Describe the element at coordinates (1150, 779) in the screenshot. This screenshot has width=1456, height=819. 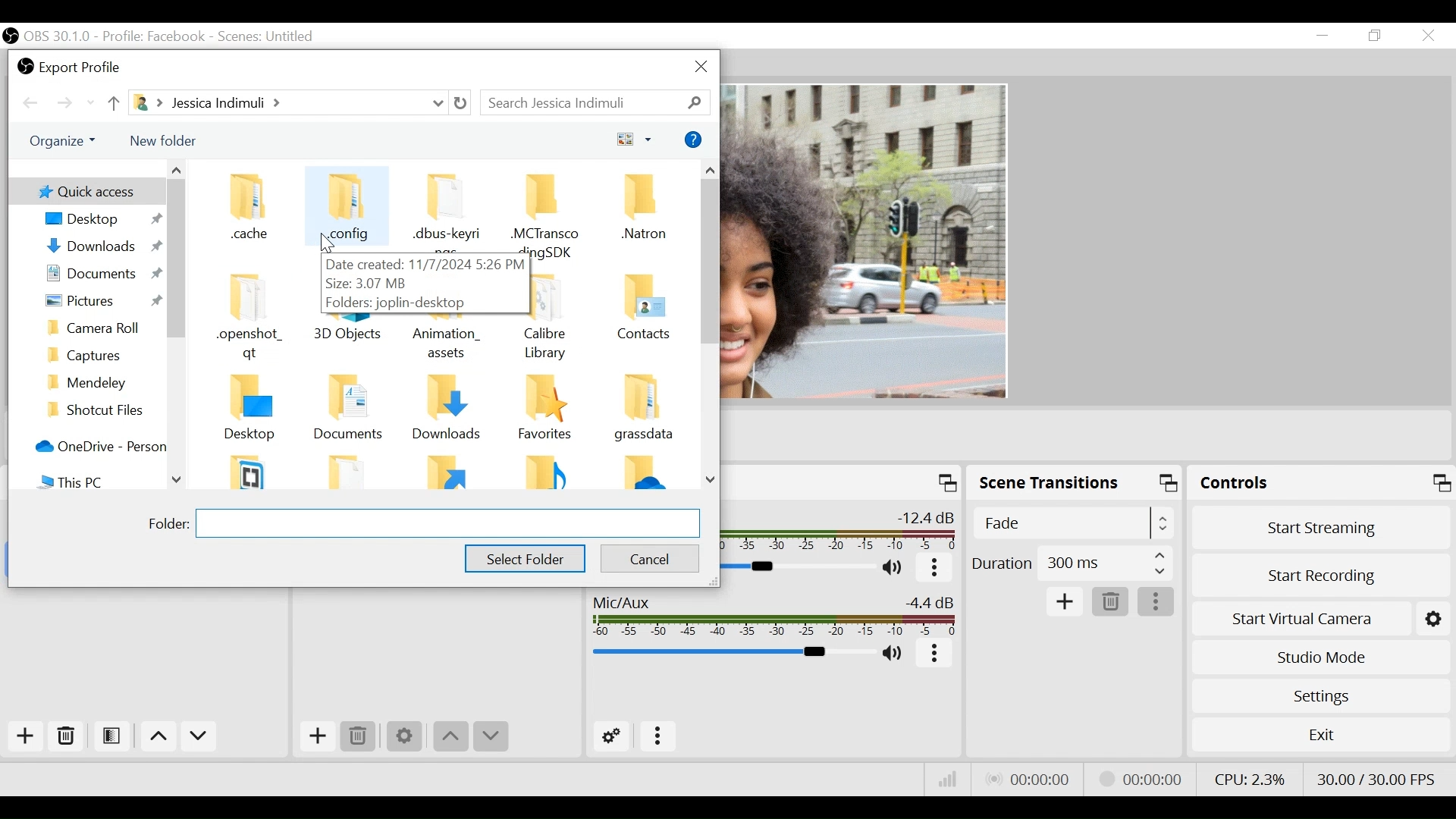
I see `Stream Status` at that location.